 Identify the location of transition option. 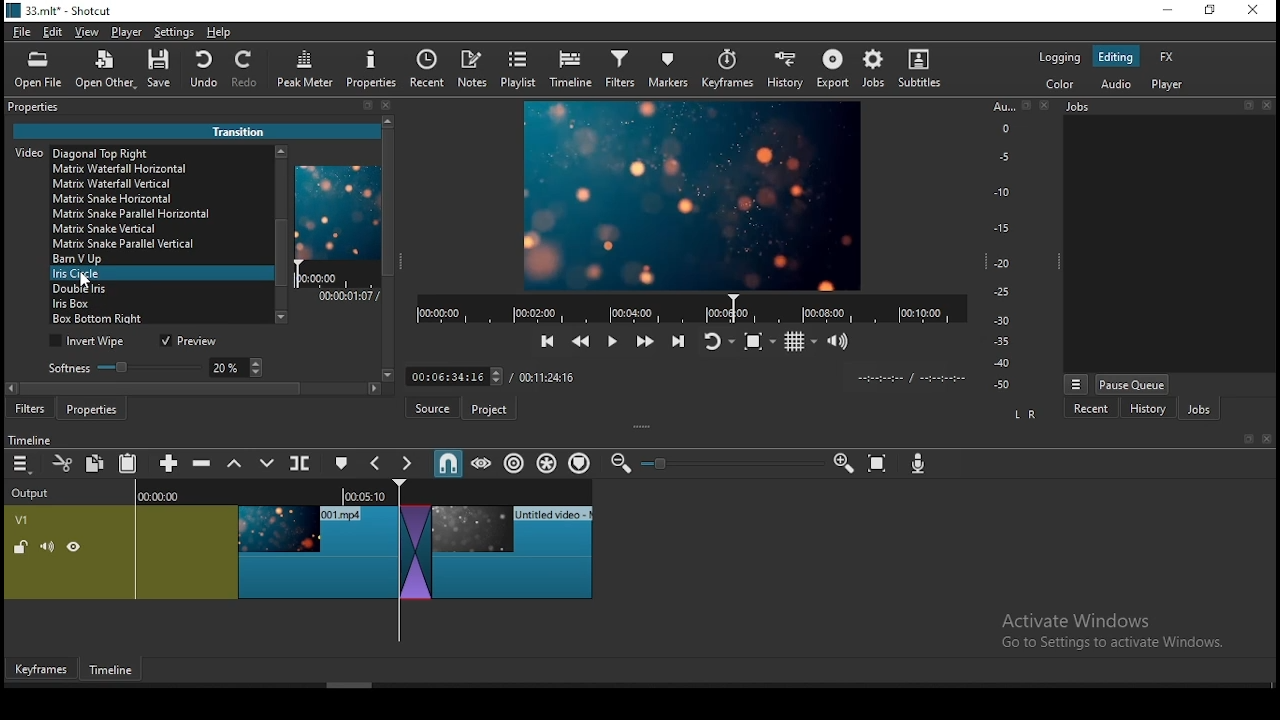
(157, 259).